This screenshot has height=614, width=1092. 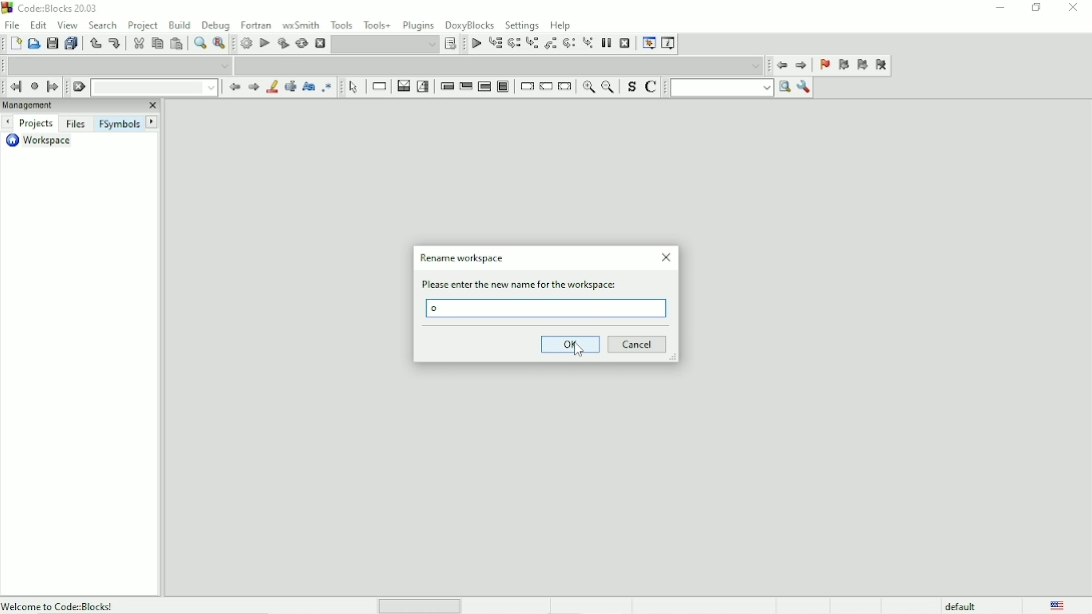 I want to click on Debug/Continue, so click(x=474, y=44).